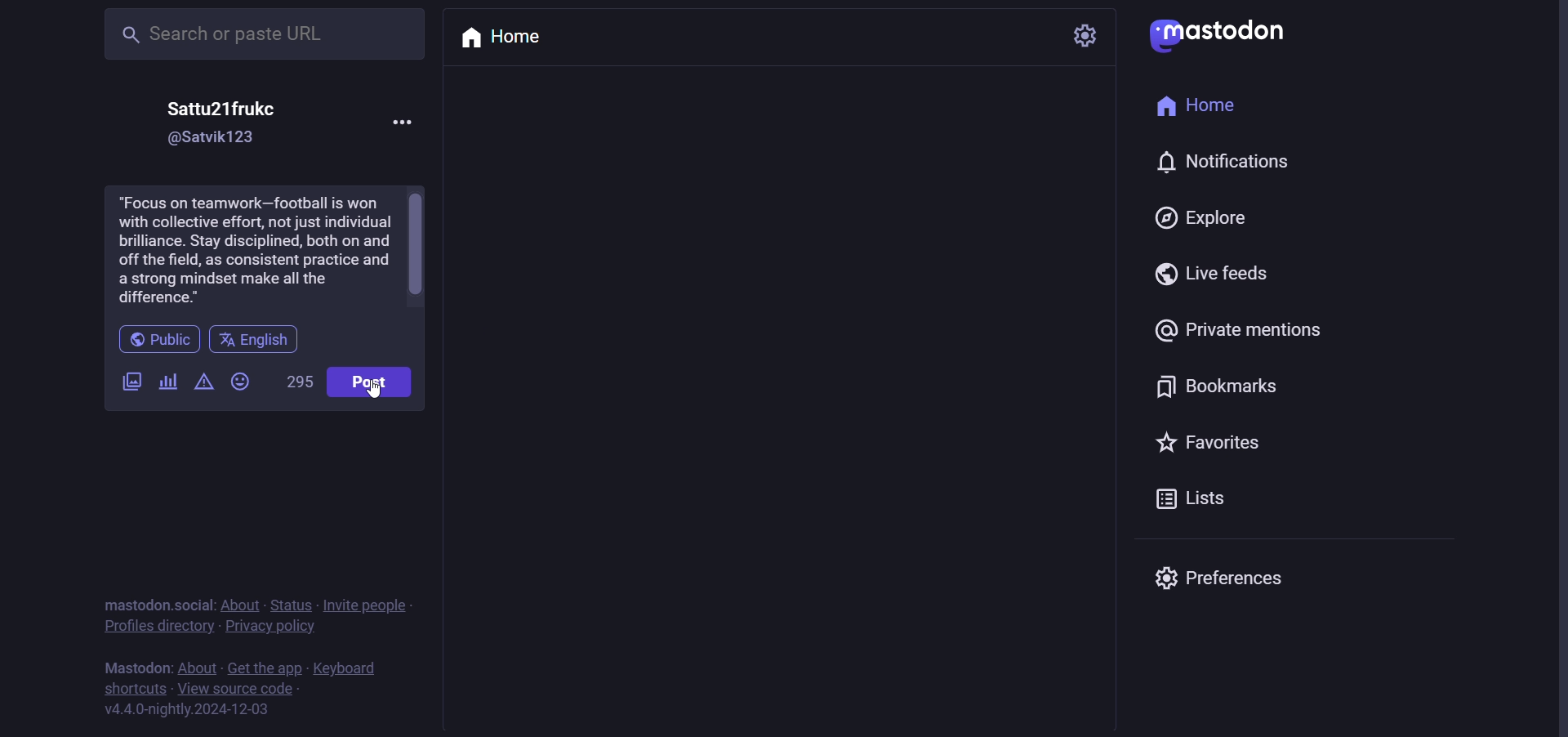 The height and width of the screenshot is (737, 1568). Describe the element at coordinates (1204, 220) in the screenshot. I see `explore` at that location.